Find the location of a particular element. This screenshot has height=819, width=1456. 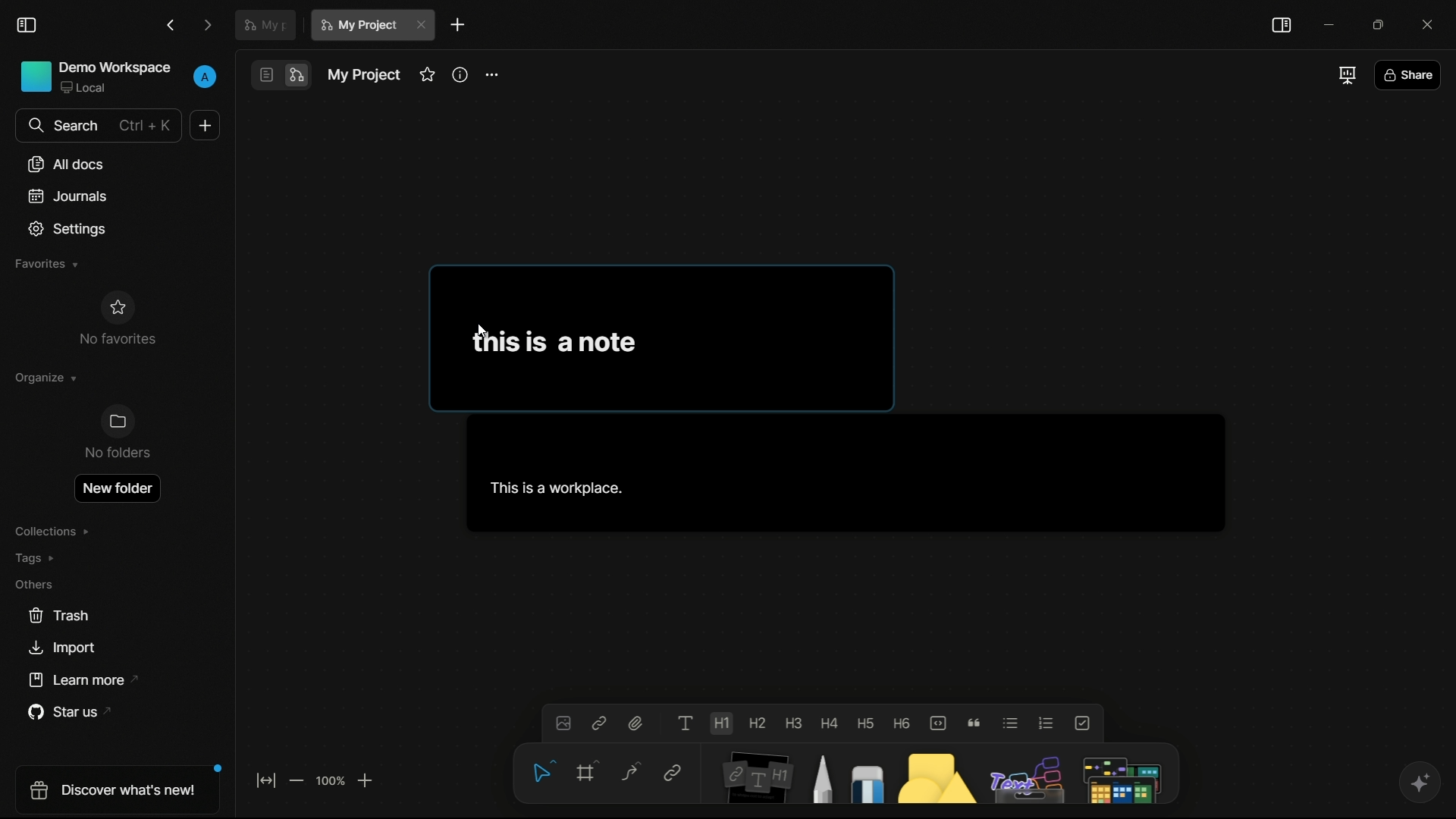

collections is located at coordinates (52, 529).